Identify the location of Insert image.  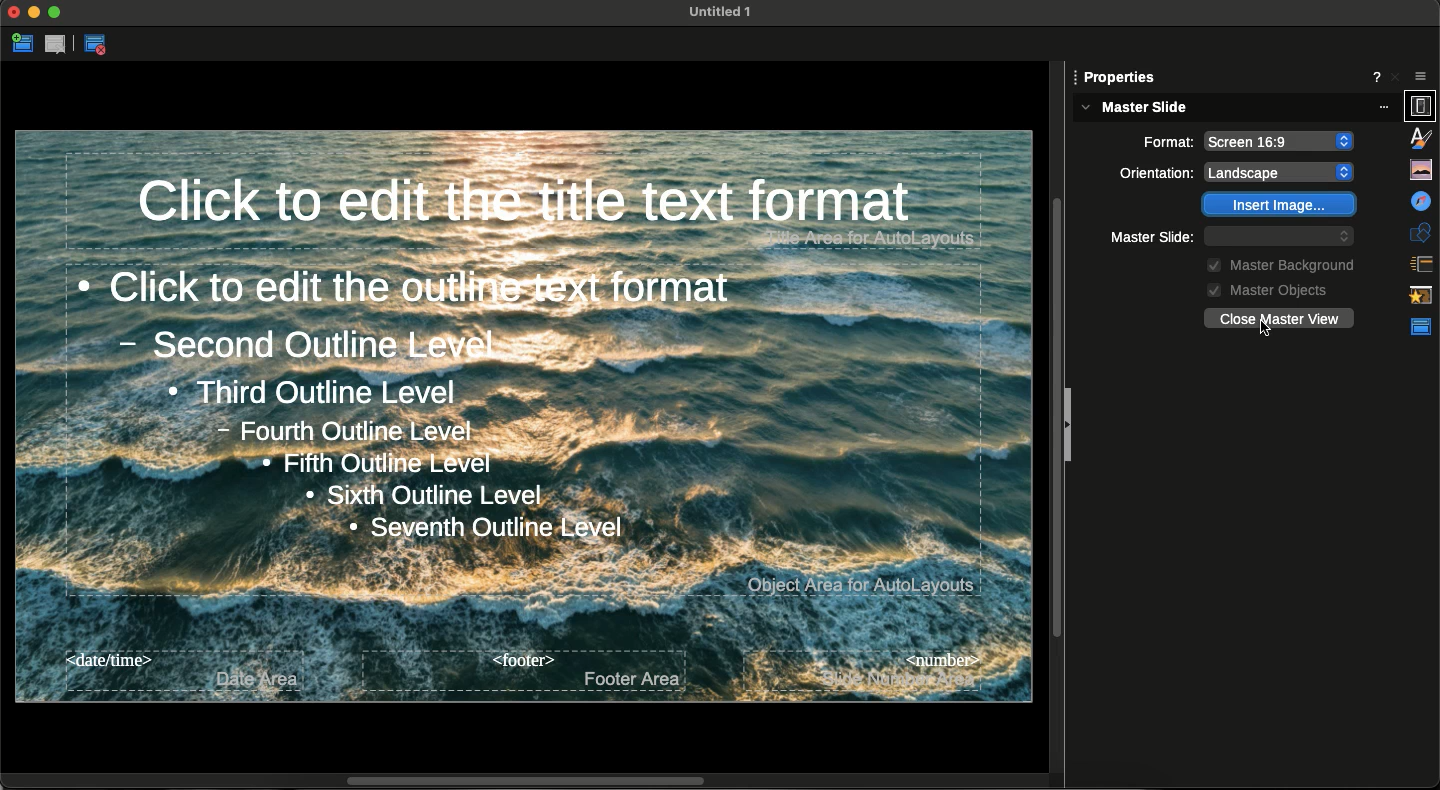
(1280, 205).